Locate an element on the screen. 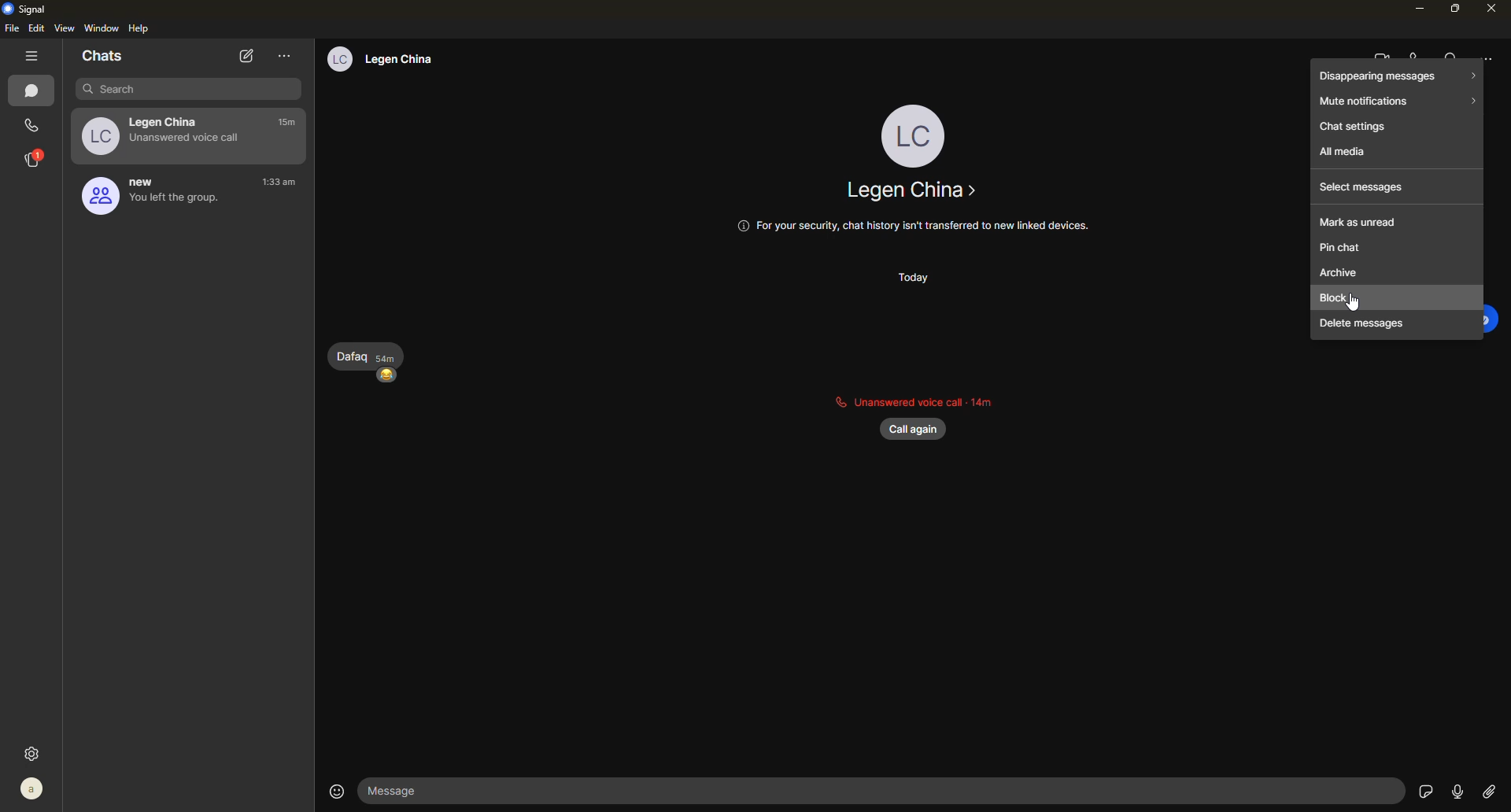 Image resolution: width=1511 pixels, height=812 pixels. maximize is located at coordinates (1450, 9).